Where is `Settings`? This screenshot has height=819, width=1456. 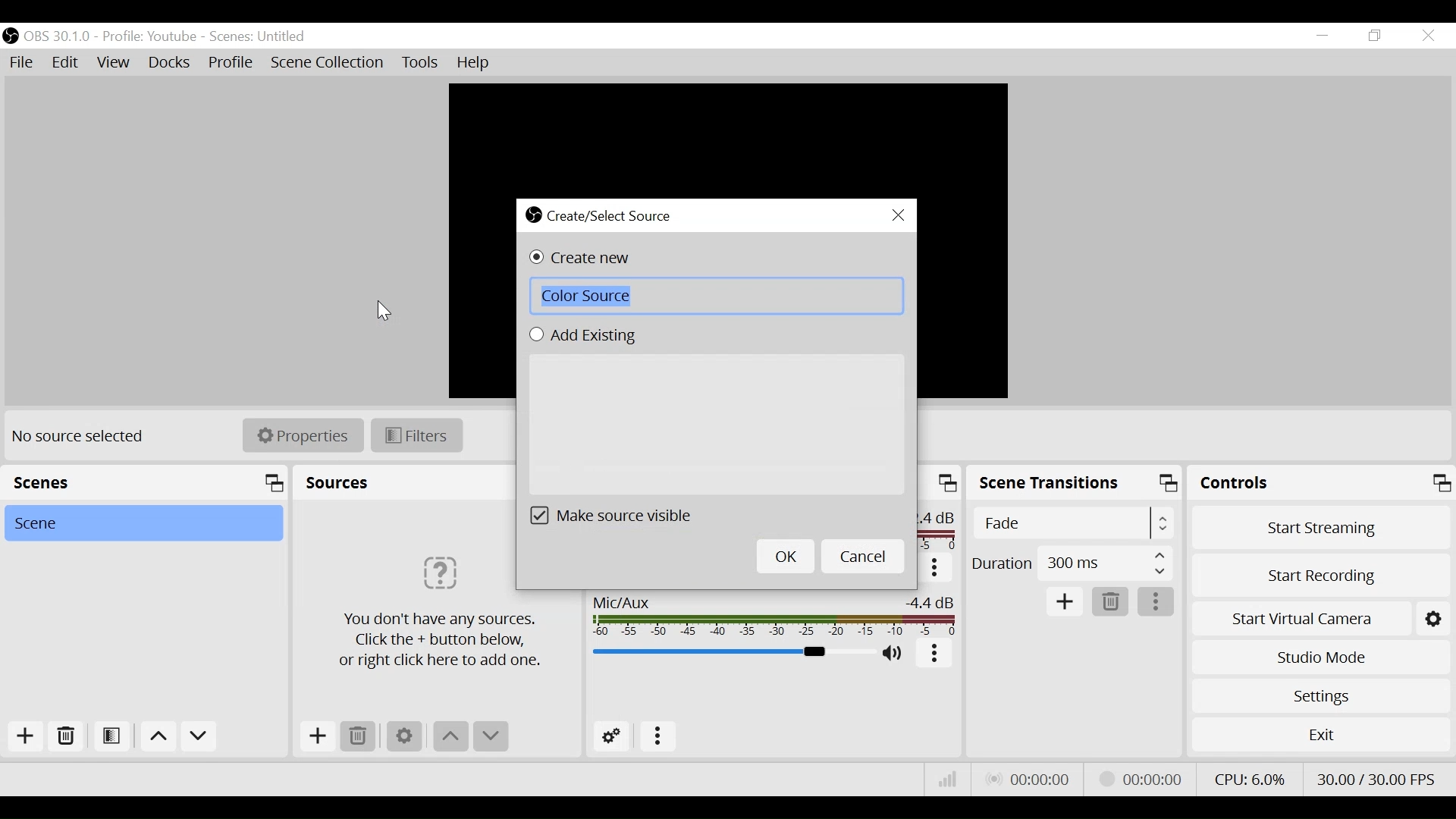 Settings is located at coordinates (1322, 696).